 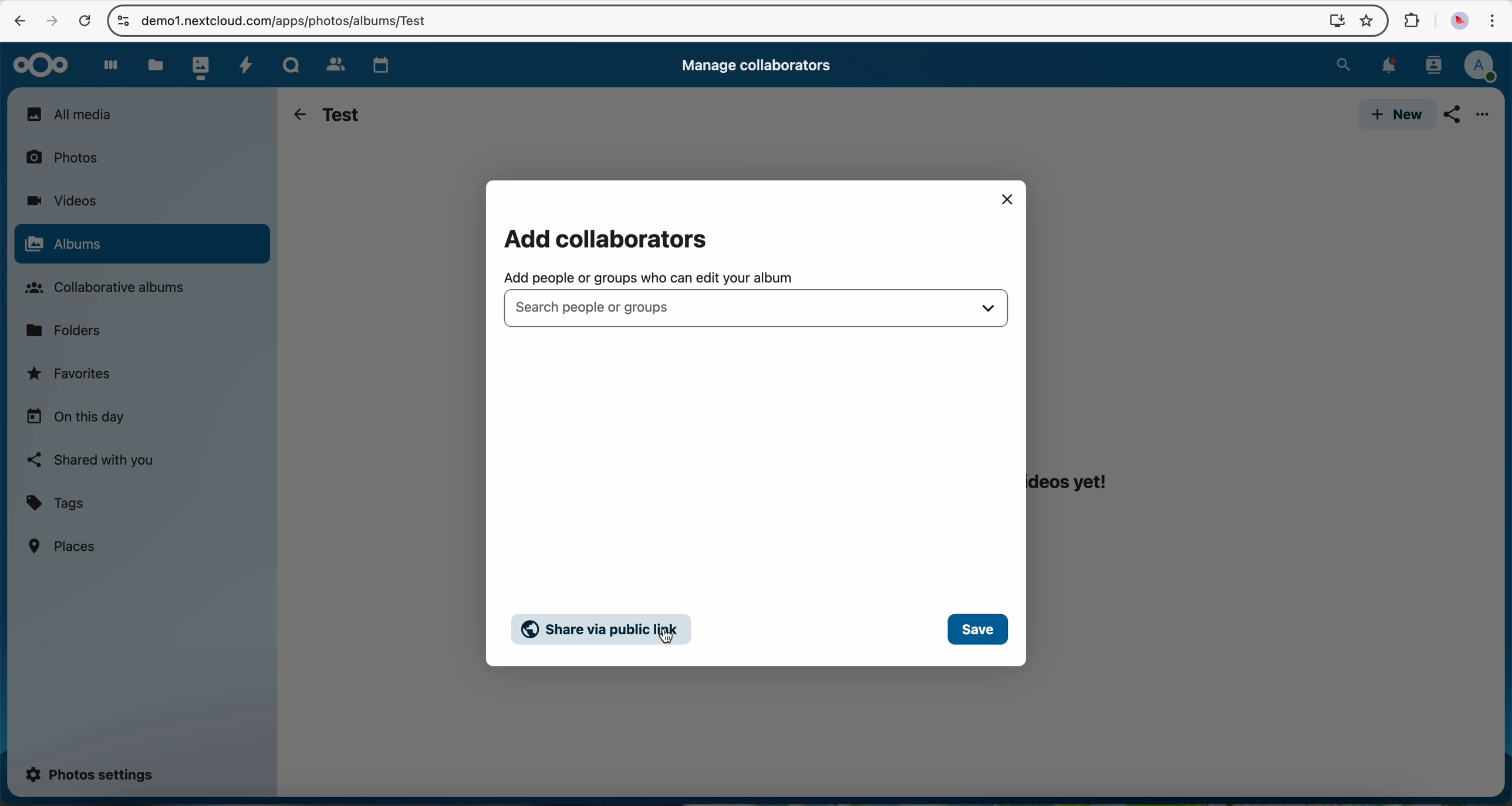 I want to click on notifications, so click(x=1385, y=66).